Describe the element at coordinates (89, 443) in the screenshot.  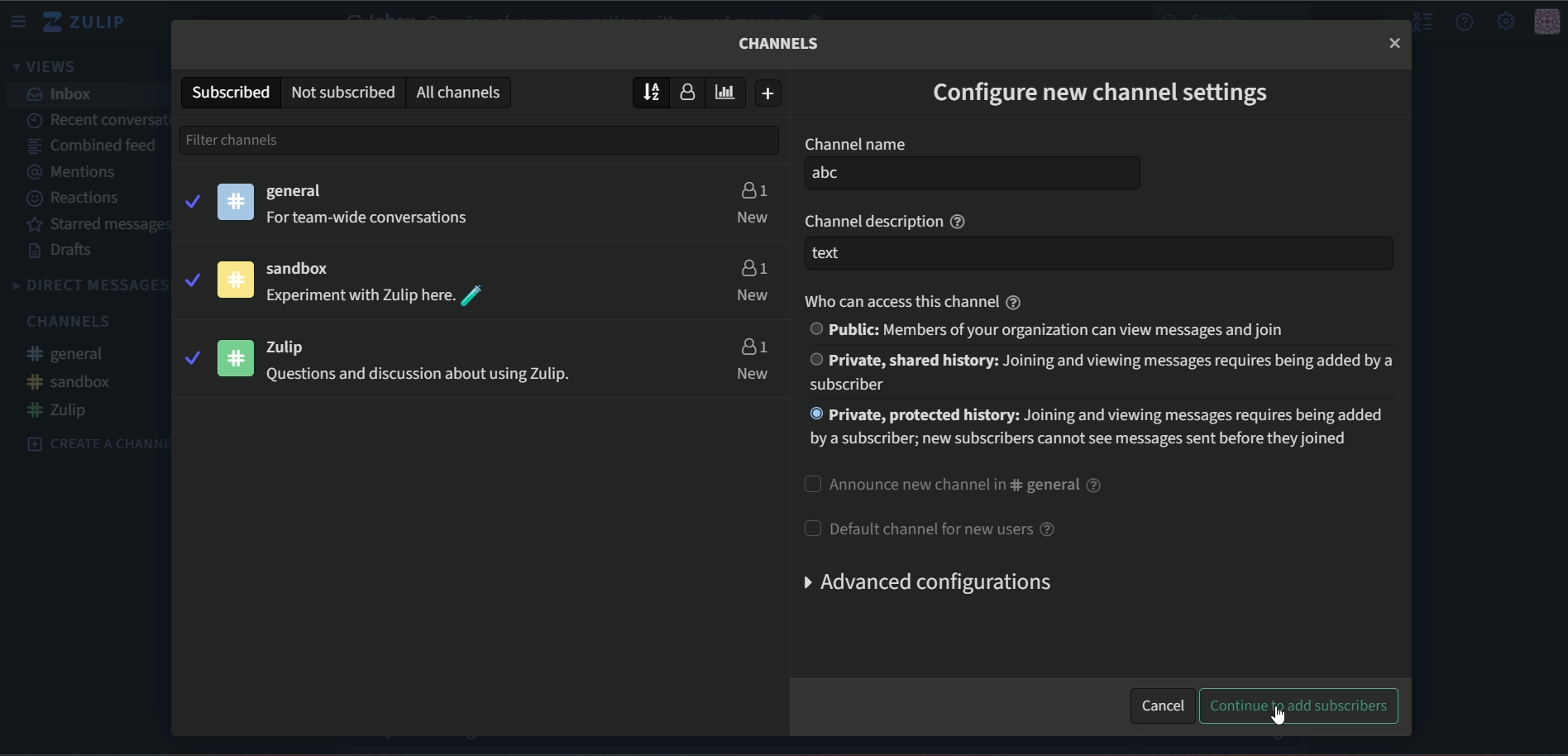
I see `create a channel` at that location.